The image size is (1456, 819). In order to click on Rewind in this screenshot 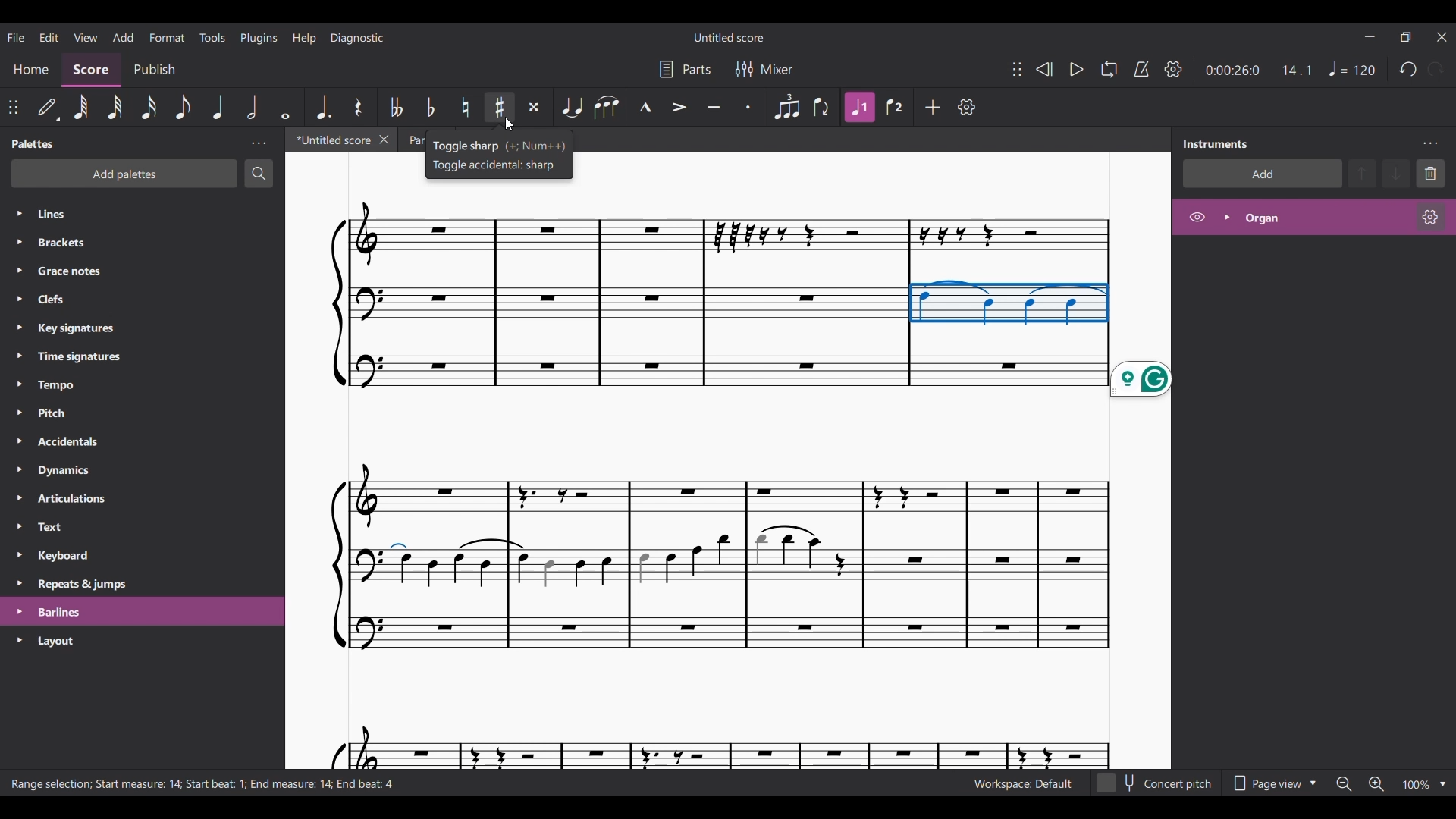, I will do `click(1043, 69)`.